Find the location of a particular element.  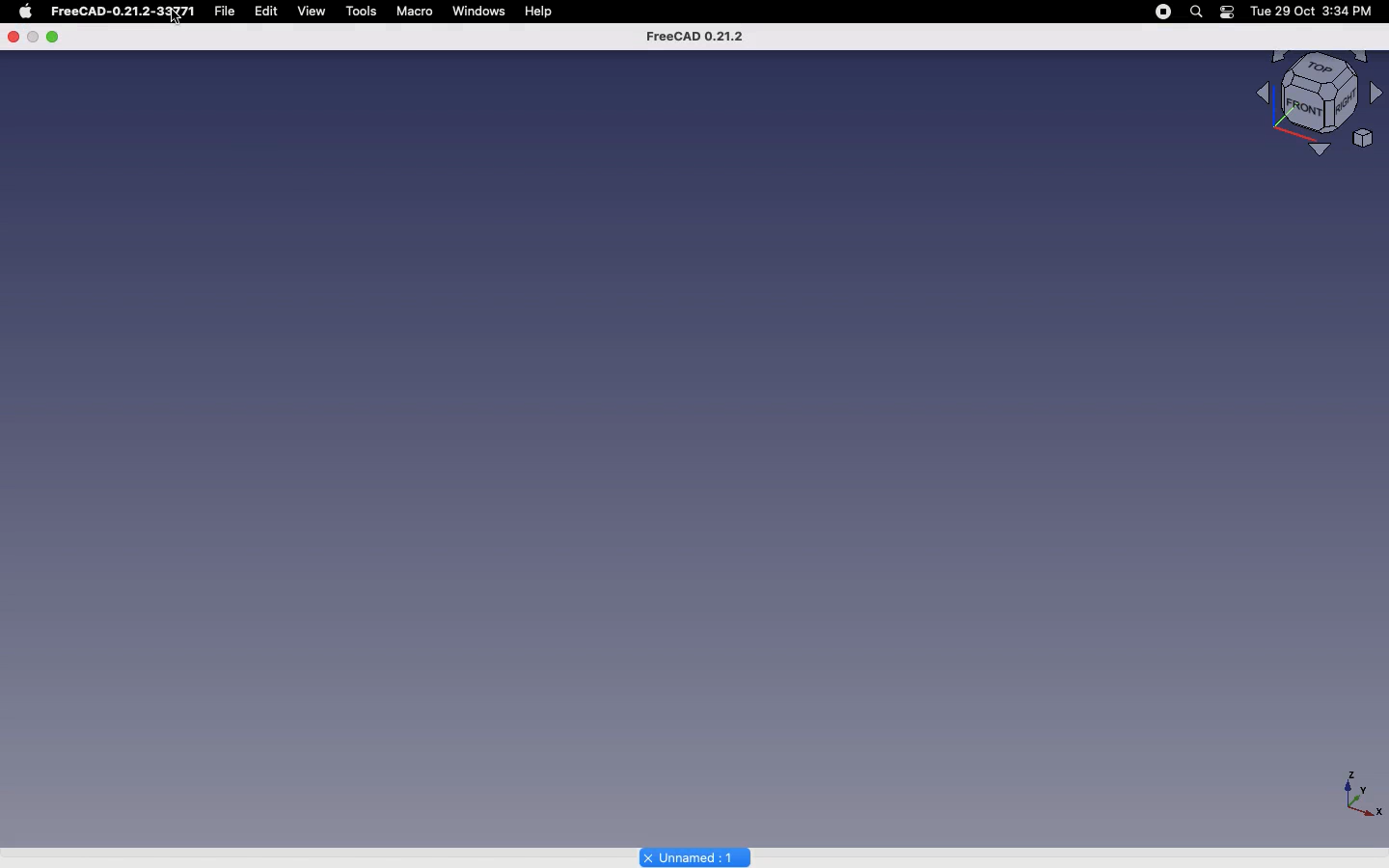

Minimize is located at coordinates (54, 37).